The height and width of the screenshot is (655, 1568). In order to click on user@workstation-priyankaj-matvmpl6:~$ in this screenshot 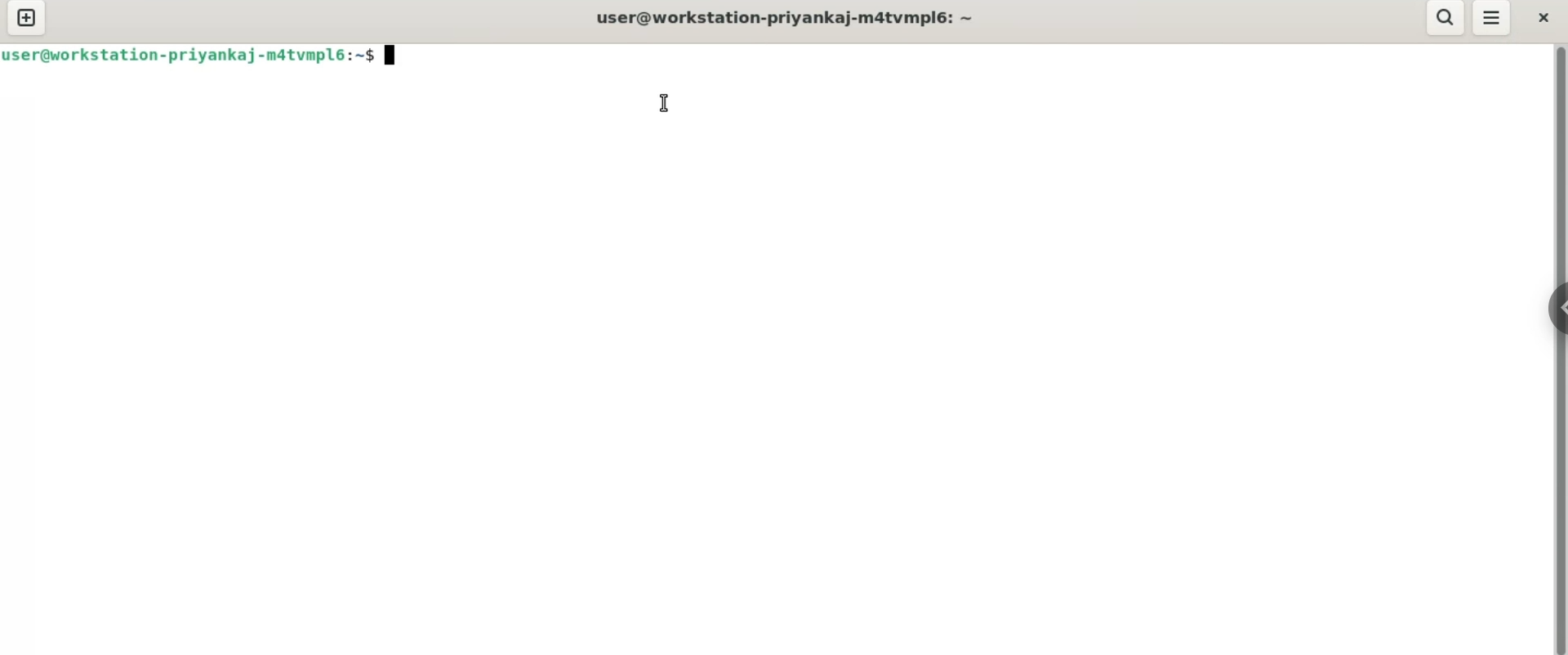, I will do `click(782, 16)`.